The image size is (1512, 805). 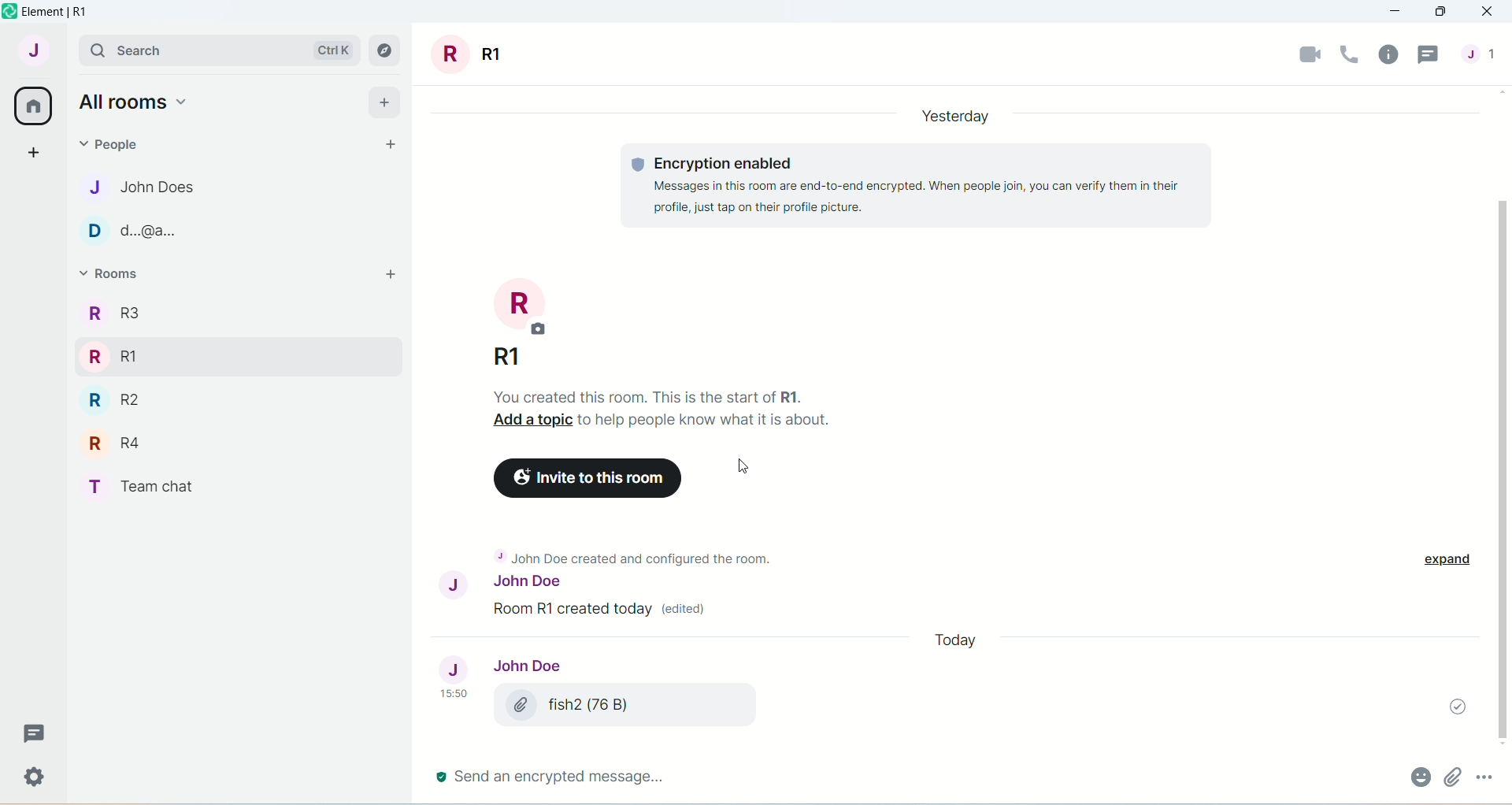 I want to click on R R2, so click(x=114, y=401).